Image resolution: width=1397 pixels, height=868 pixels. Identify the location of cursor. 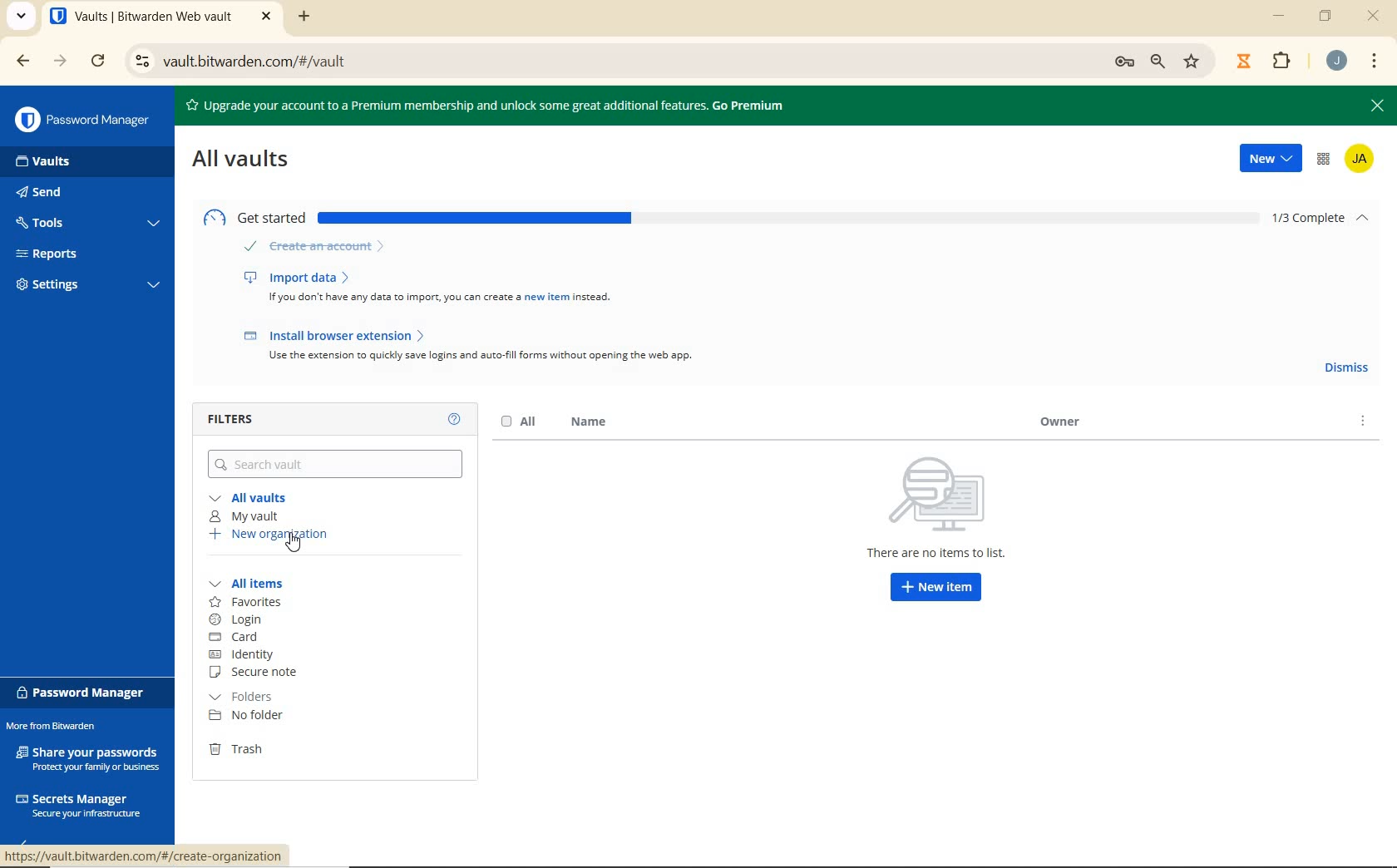
(298, 542).